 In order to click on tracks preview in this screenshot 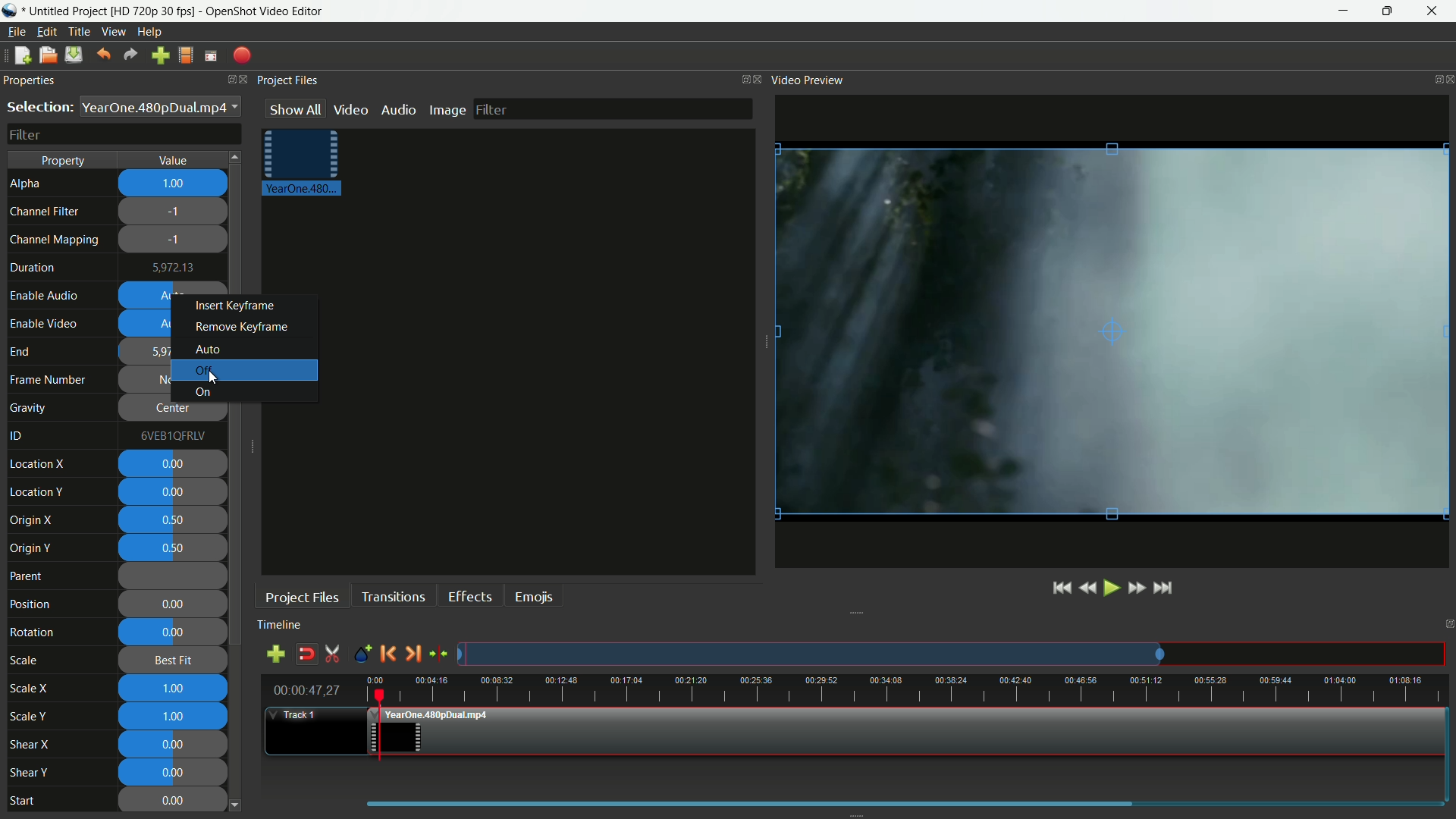, I will do `click(956, 652)`.